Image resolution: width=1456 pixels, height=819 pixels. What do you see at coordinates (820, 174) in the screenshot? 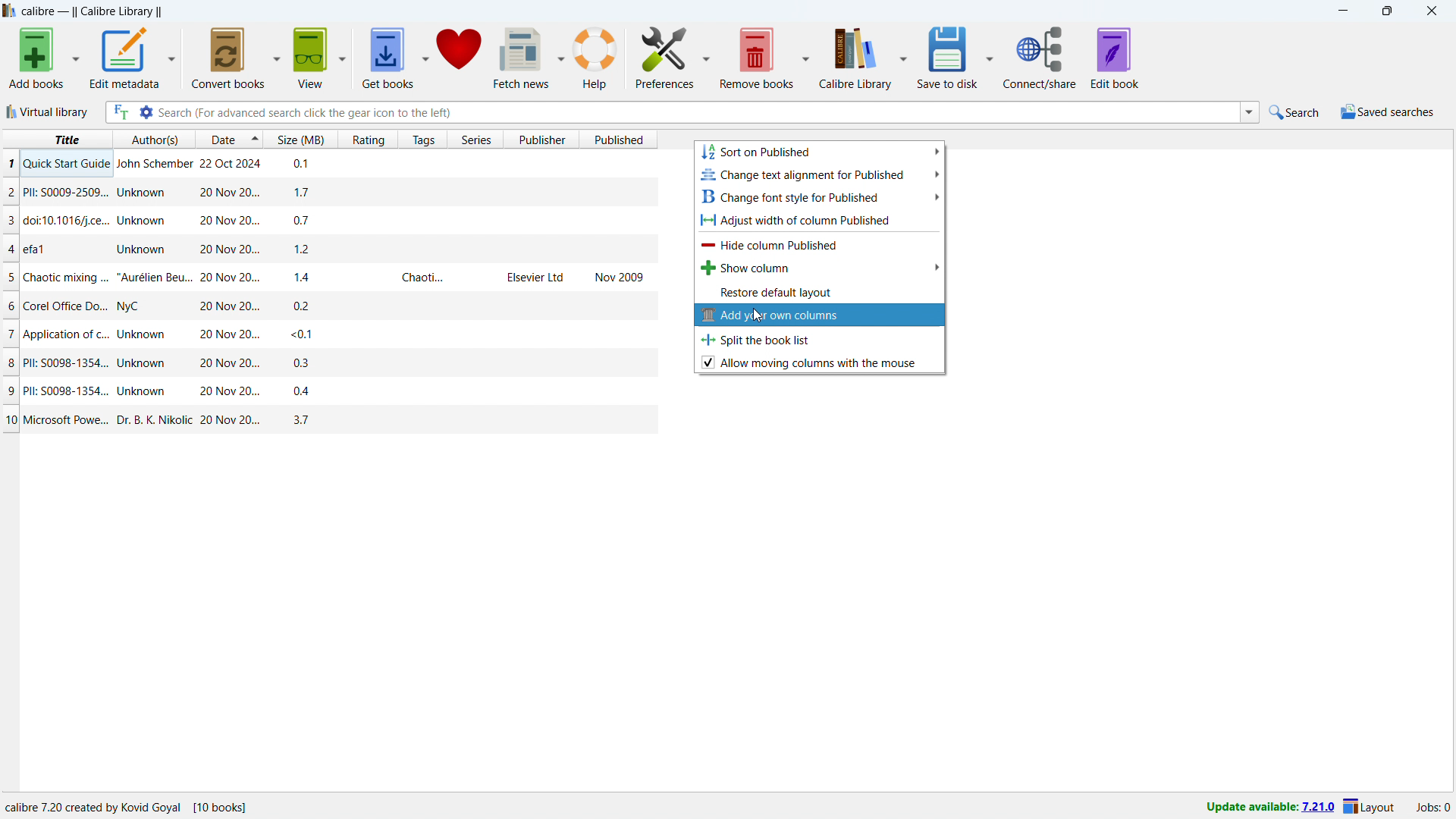
I see `change text alignment for published` at bounding box center [820, 174].